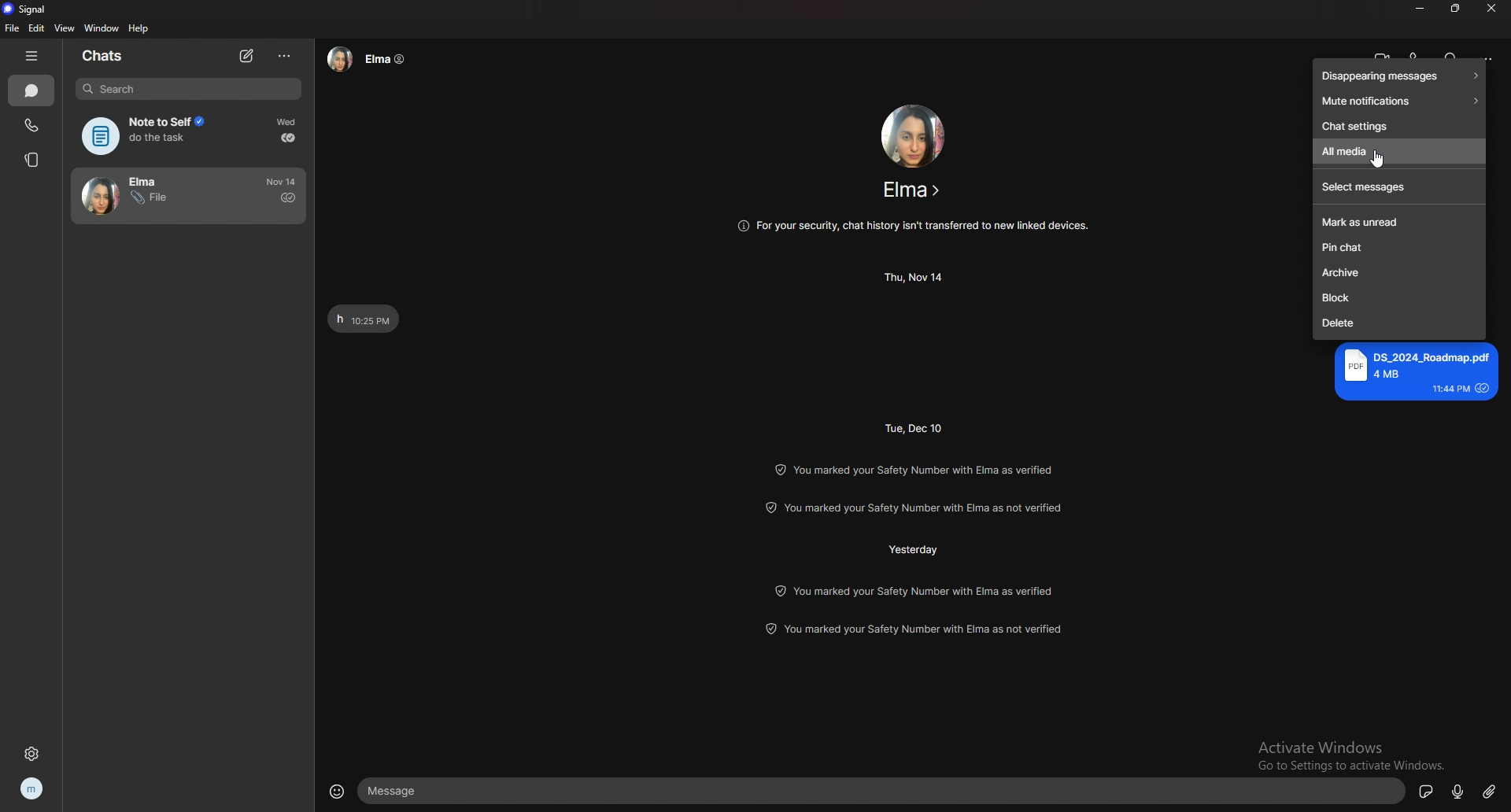 This screenshot has width=1511, height=812. What do you see at coordinates (1426, 791) in the screenshot?
I see `stickers` at bounding box center [1426, 791].